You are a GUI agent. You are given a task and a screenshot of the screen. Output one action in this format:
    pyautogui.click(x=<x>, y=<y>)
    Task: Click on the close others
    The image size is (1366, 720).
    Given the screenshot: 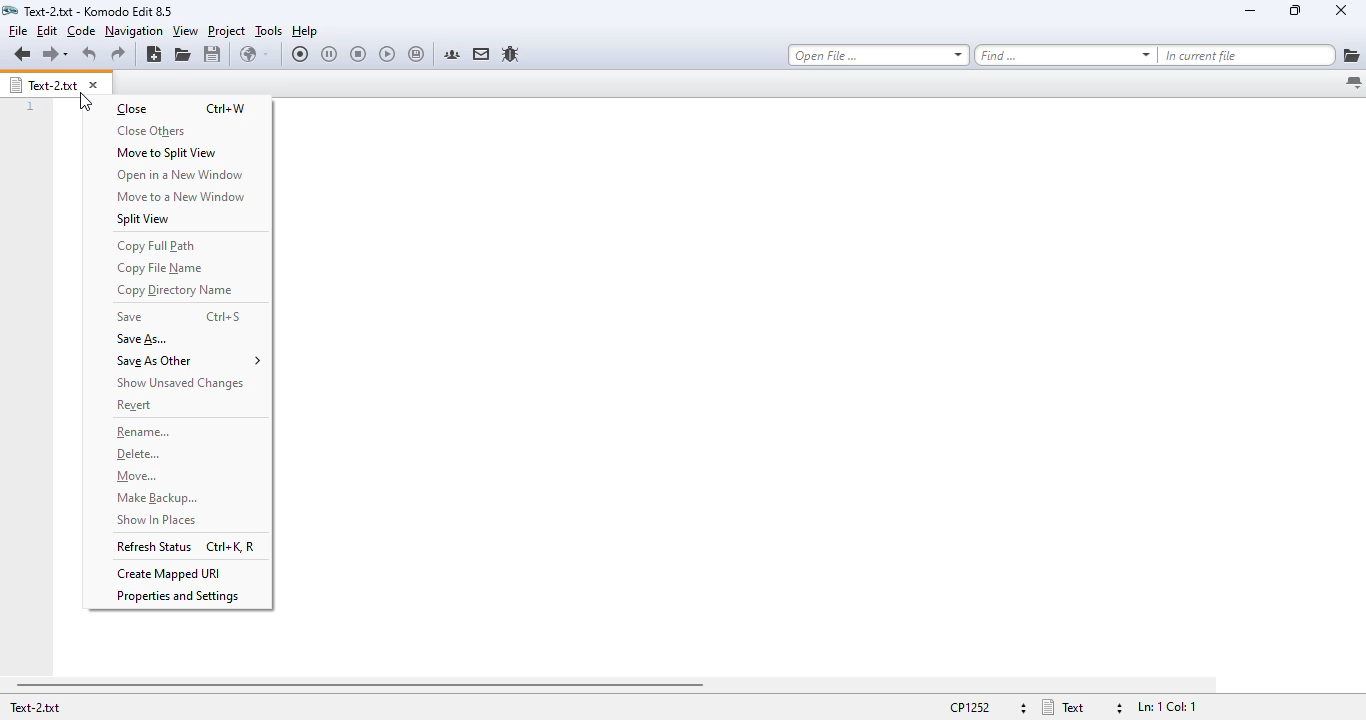 What is the action you would take?
    pyautogui.click(x=151, y=131)
    